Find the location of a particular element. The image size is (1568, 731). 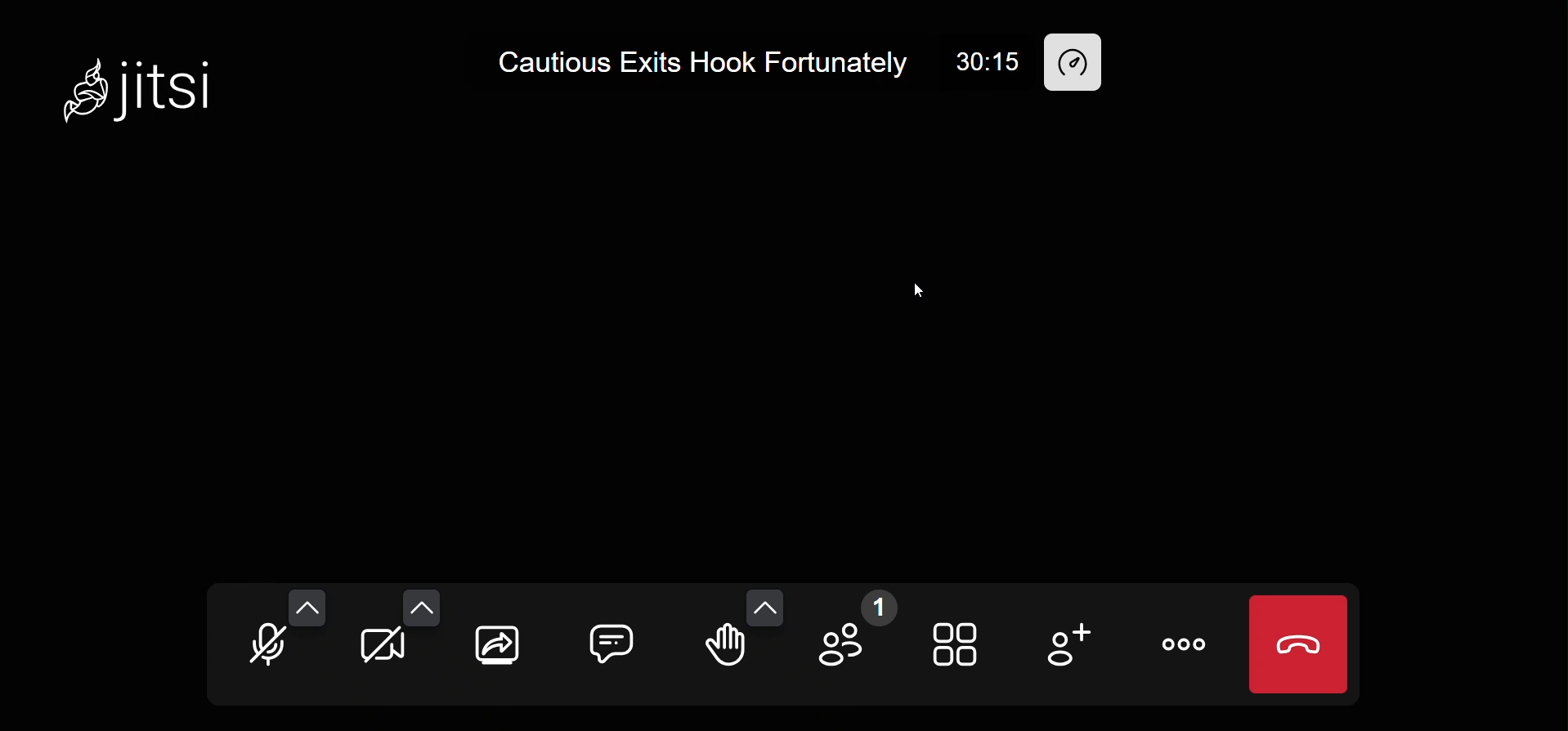

chat is located at coordinates (620, 645).